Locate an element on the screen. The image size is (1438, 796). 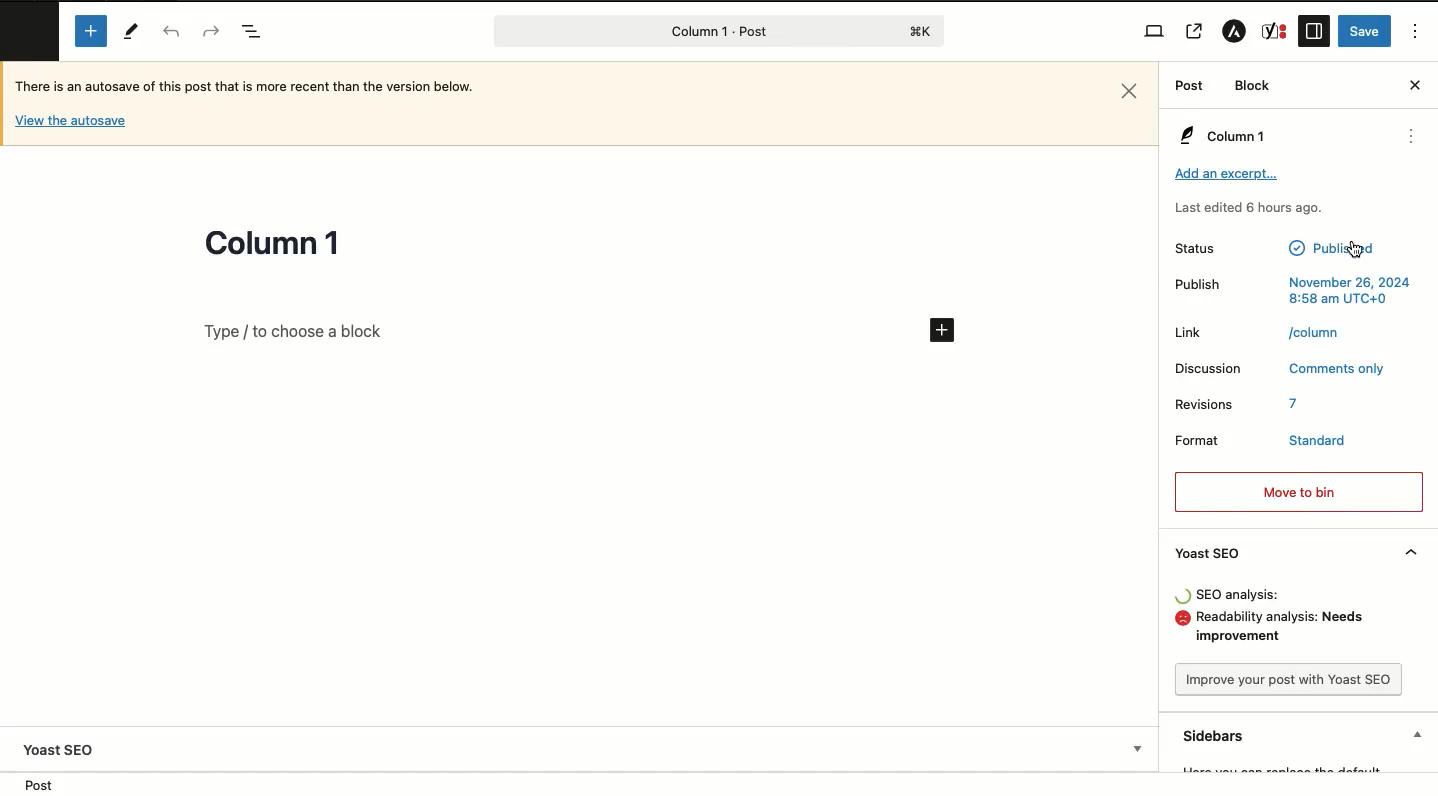
Move to bin is located at coordinates (1298, 493).